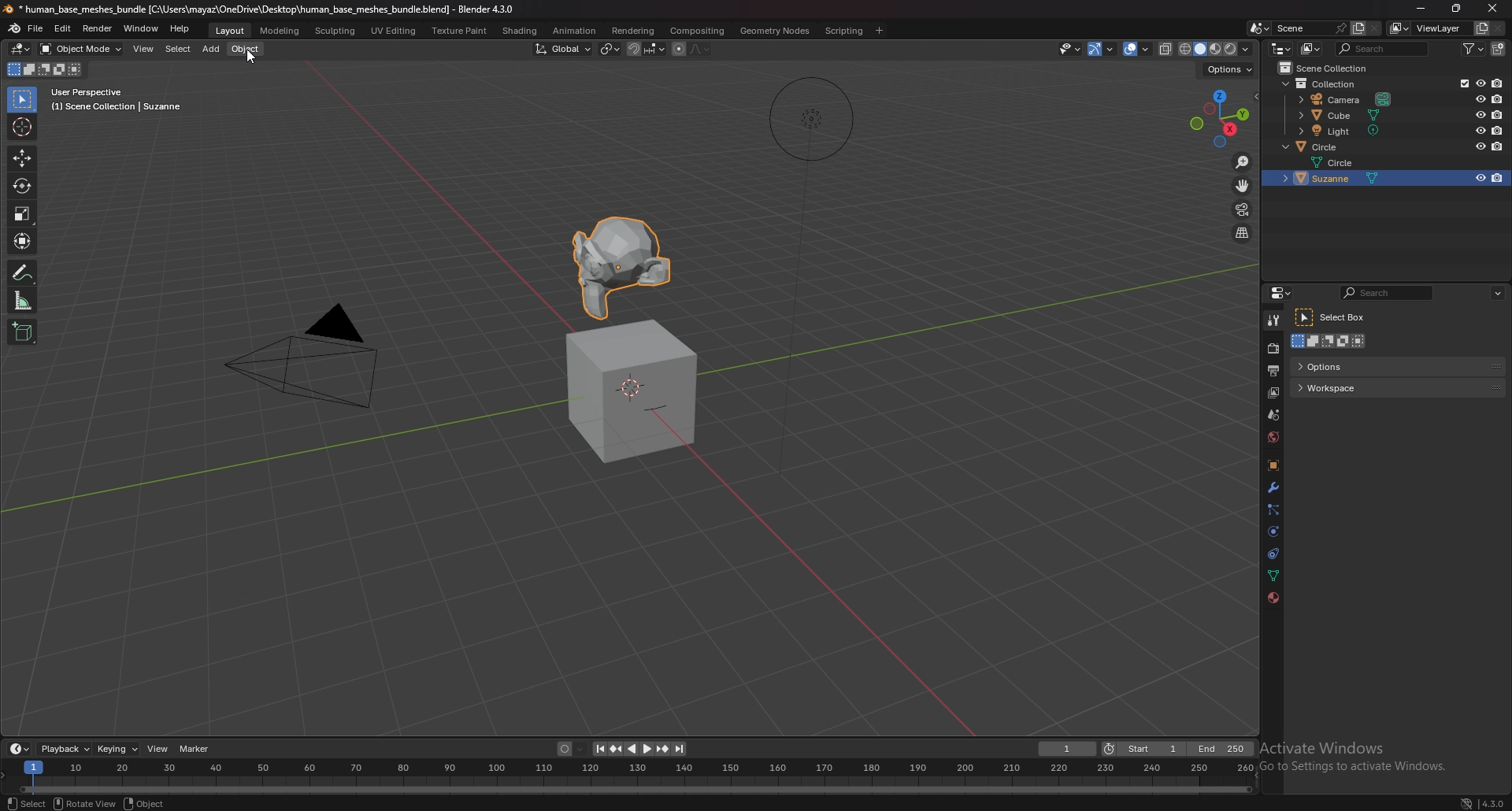 This screenshot has width=1512, height=811. What do you see at coordinates (1345, 161) in the screenshot?
I see `circle` at bounding box center [1345, 161].